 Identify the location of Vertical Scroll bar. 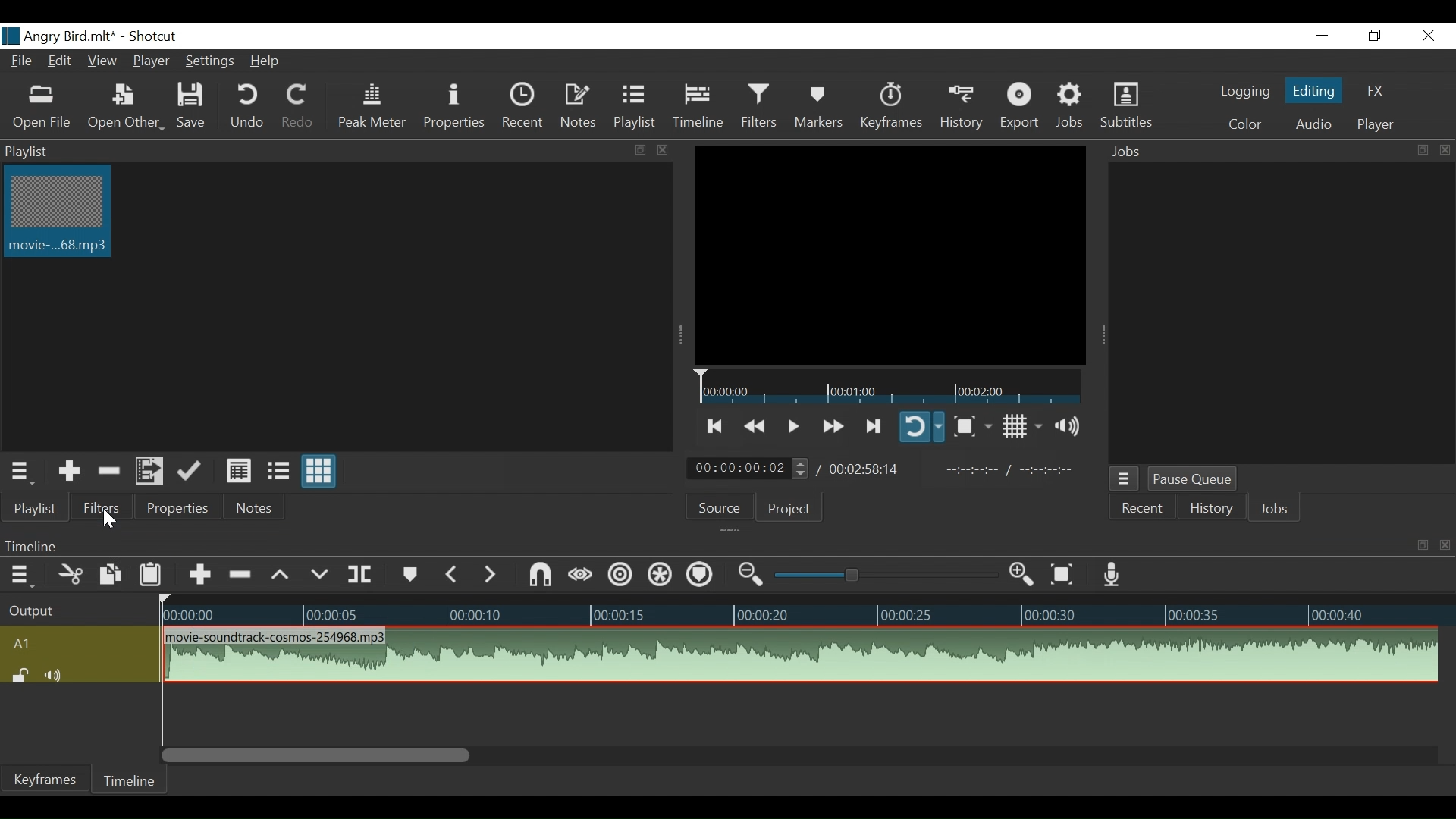
(316, 755).